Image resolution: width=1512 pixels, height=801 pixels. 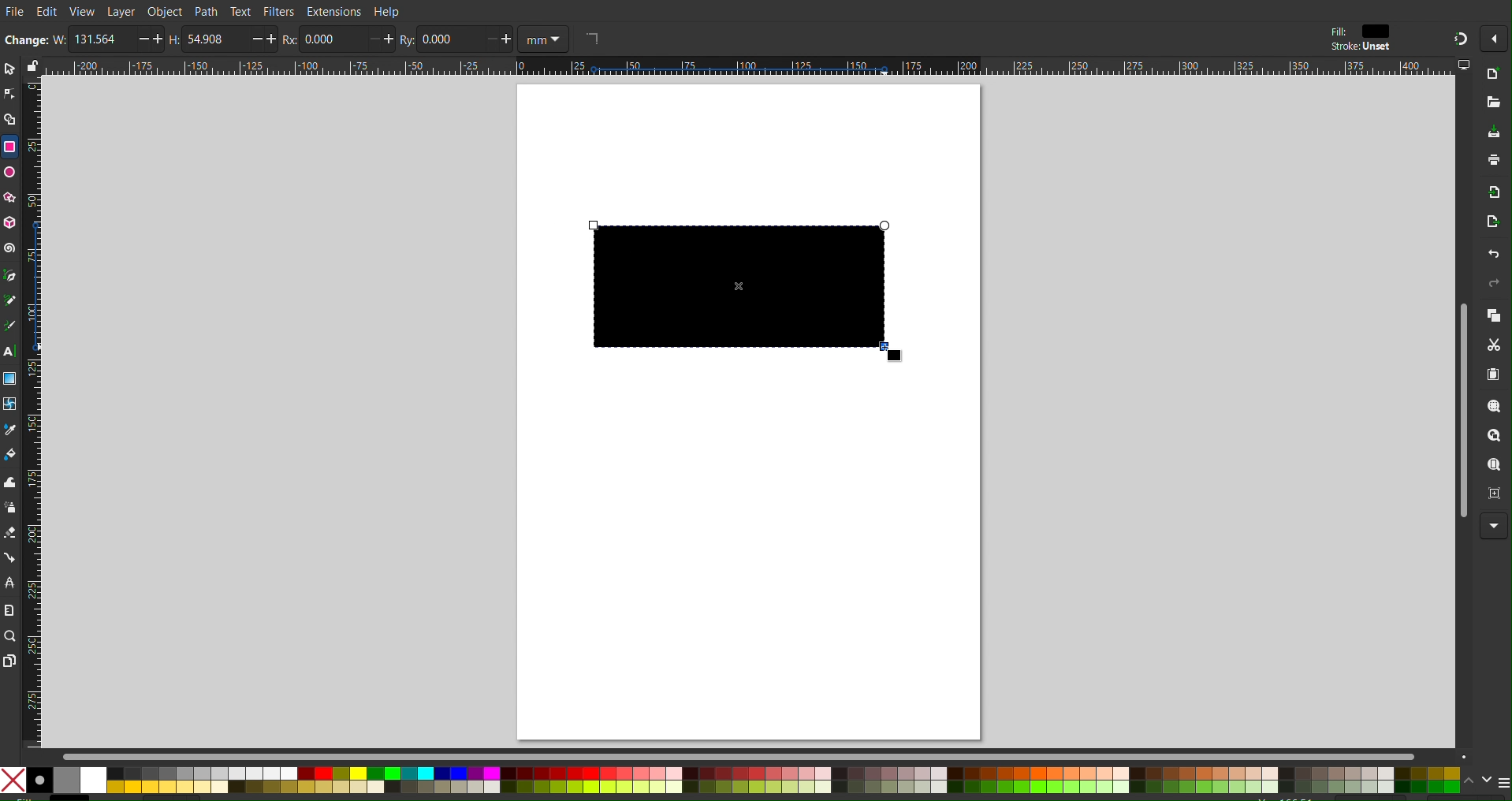 I want to click on Path, so click(x=204, y=12).